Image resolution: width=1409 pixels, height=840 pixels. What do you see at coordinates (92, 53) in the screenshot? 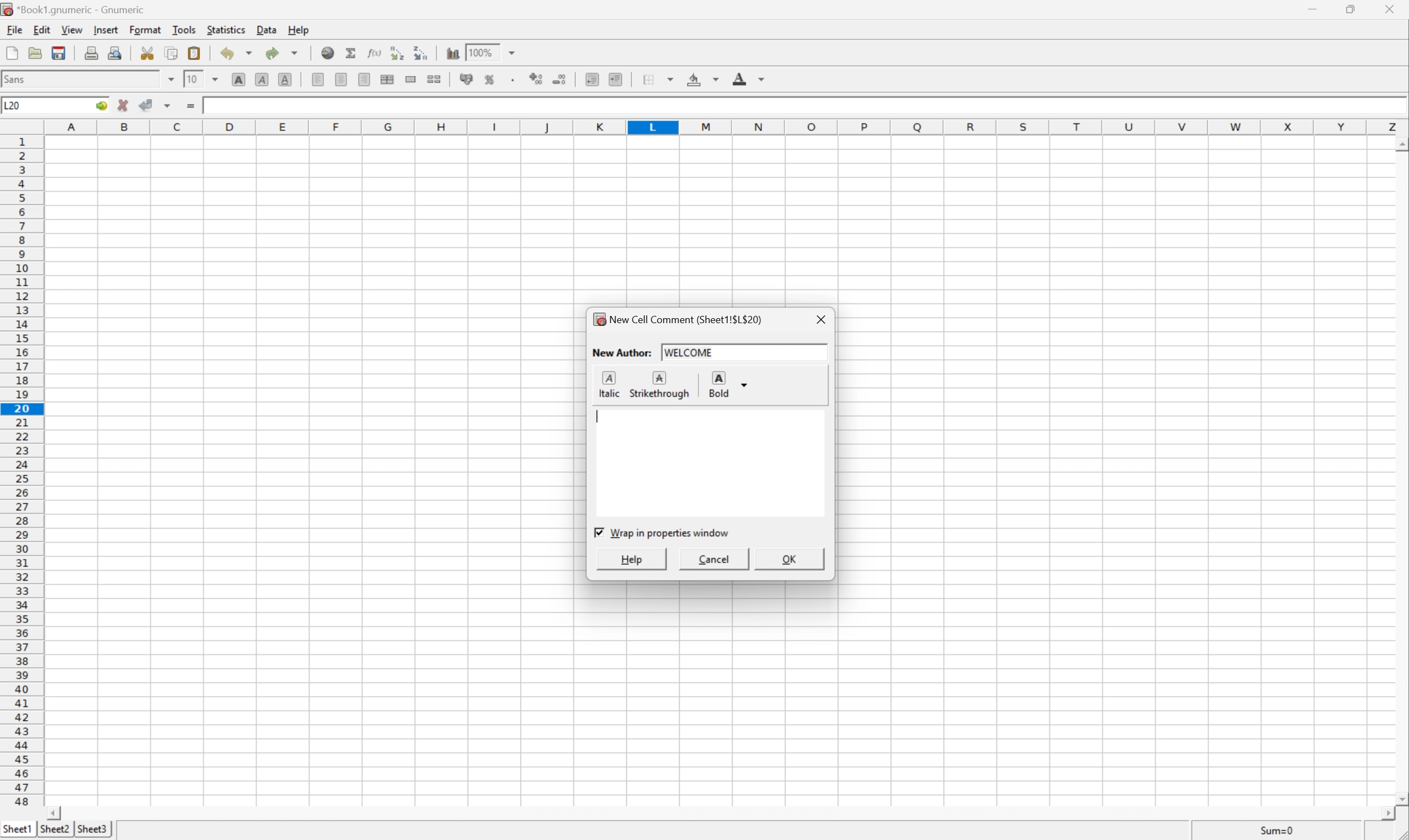
I see `Print current file` at bounding box center [92, 53].